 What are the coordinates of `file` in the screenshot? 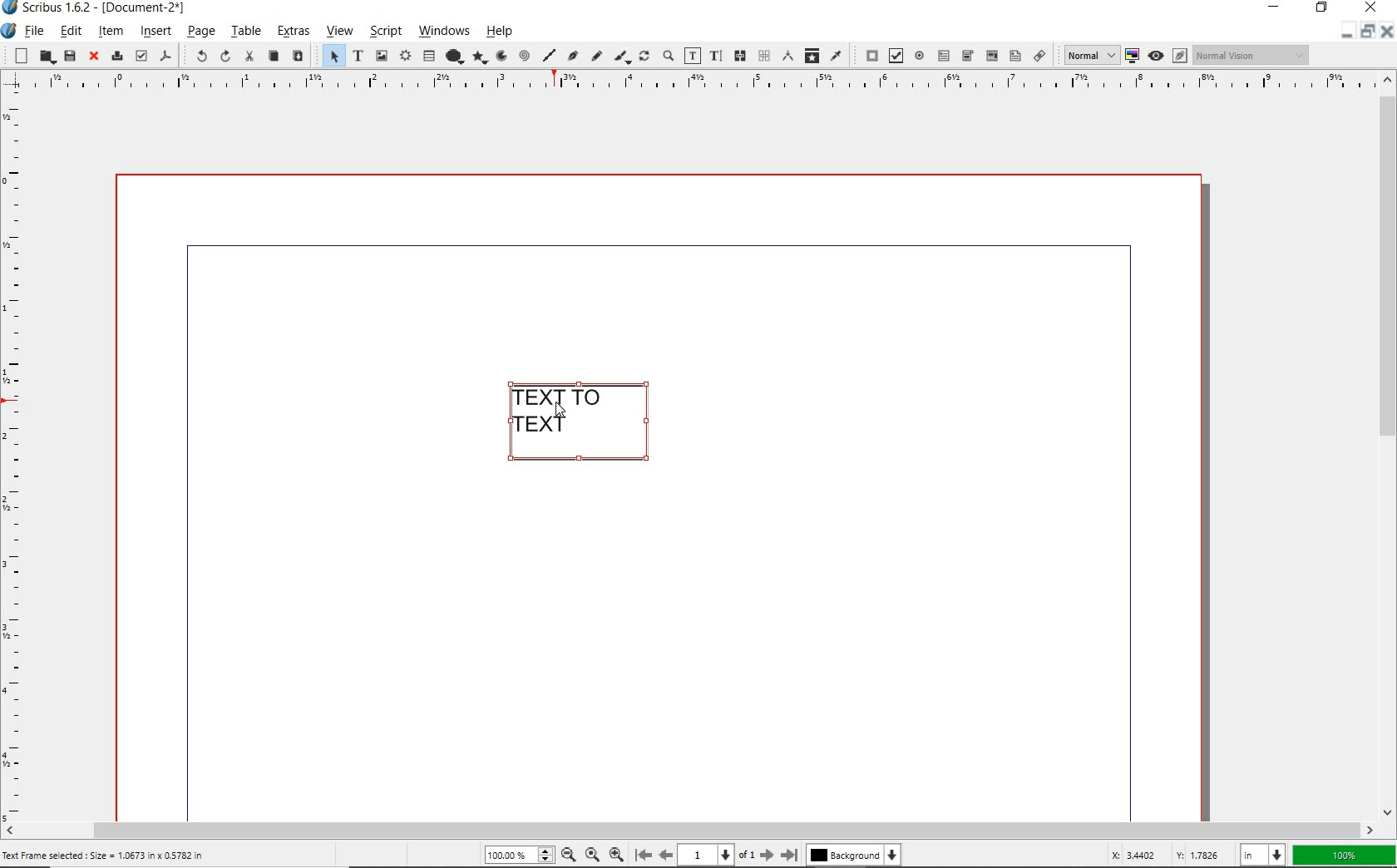 It's located at (36, 32).